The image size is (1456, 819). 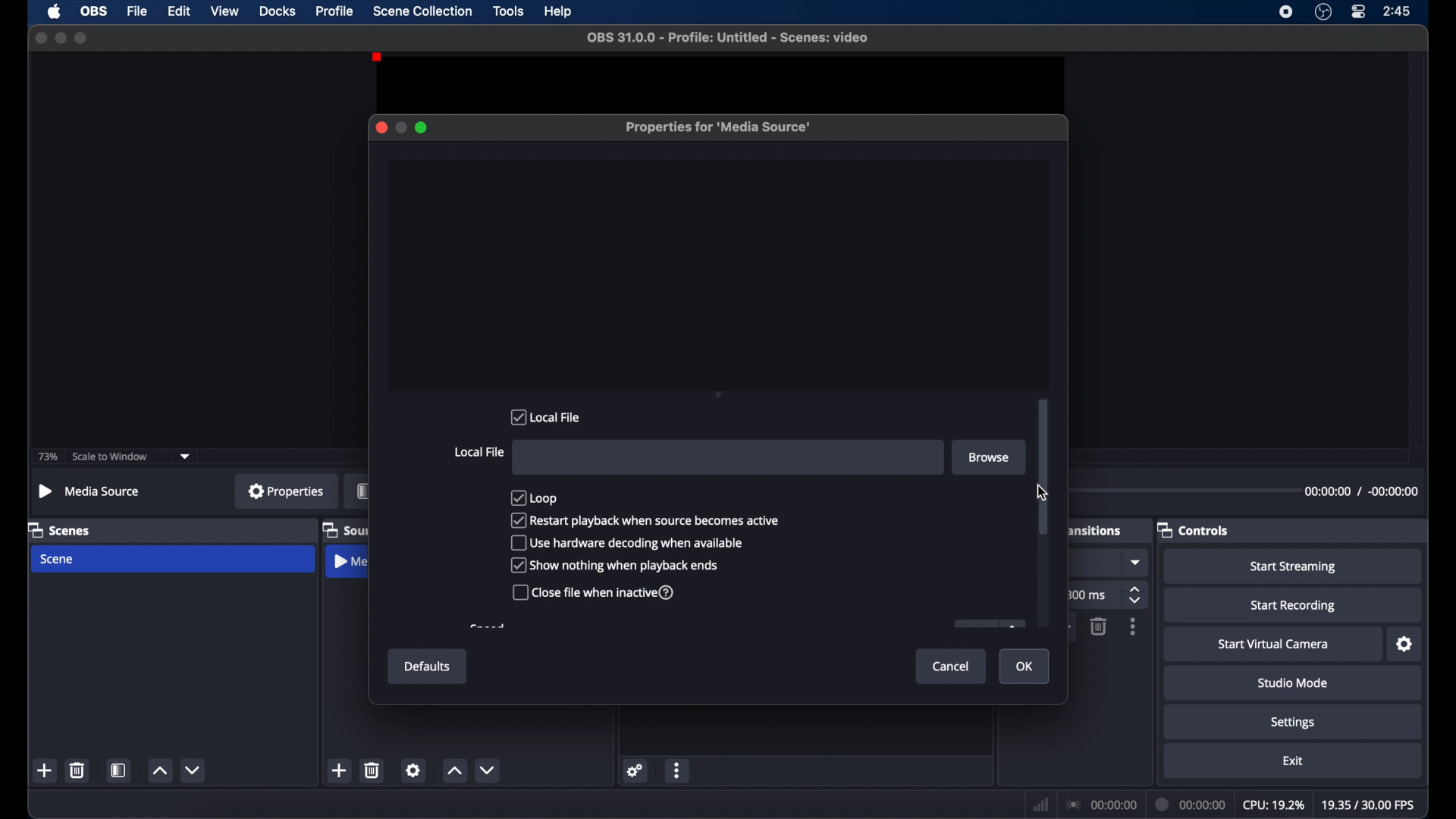 I want to click on dropdown, so click(x=186, y=455).